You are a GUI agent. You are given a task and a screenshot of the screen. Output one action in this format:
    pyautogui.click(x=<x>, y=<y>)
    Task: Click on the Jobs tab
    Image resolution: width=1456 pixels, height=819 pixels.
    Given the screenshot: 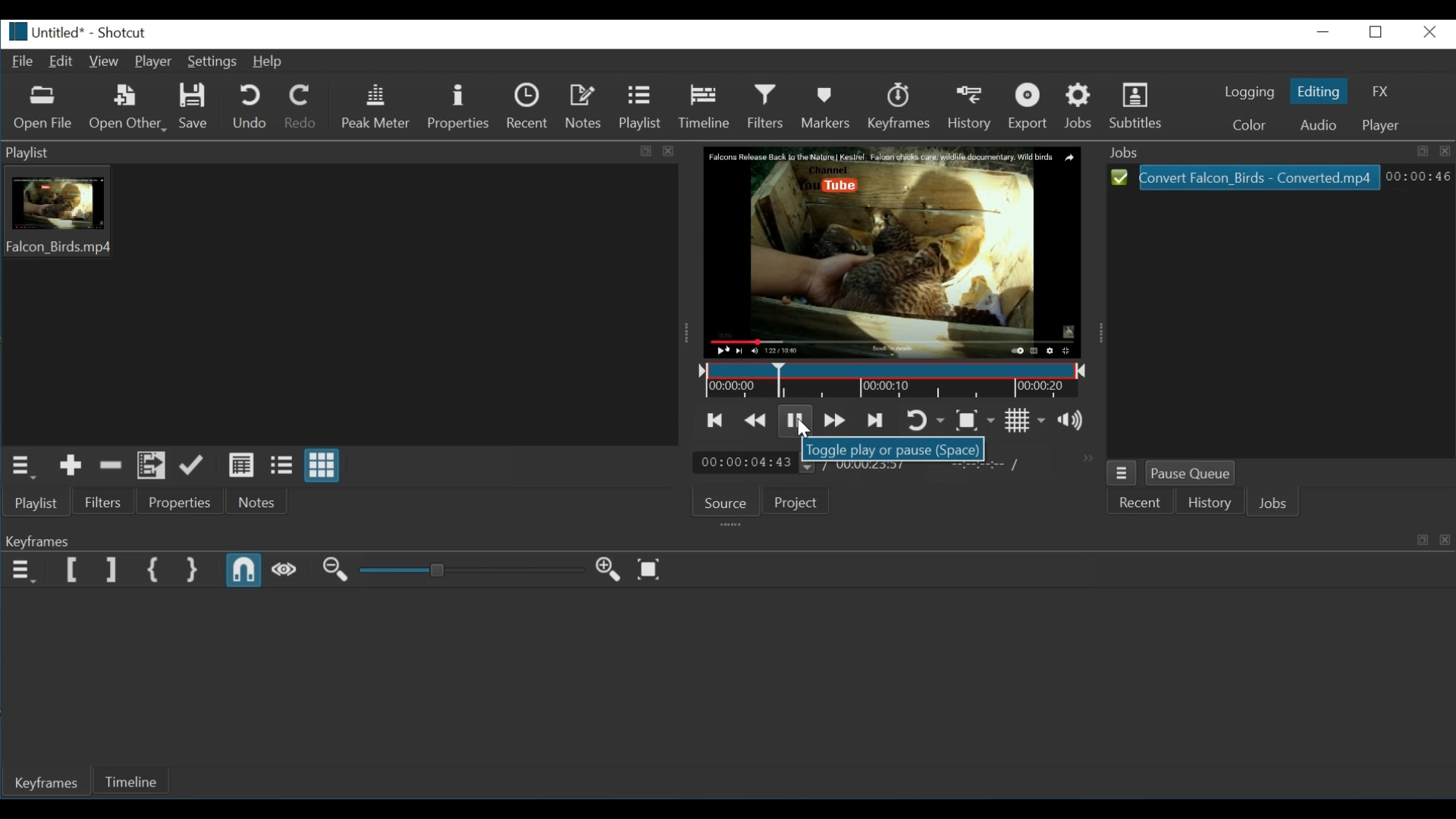 What is the action you would take?
    pyautogui.click(x=1278, y=151)
    